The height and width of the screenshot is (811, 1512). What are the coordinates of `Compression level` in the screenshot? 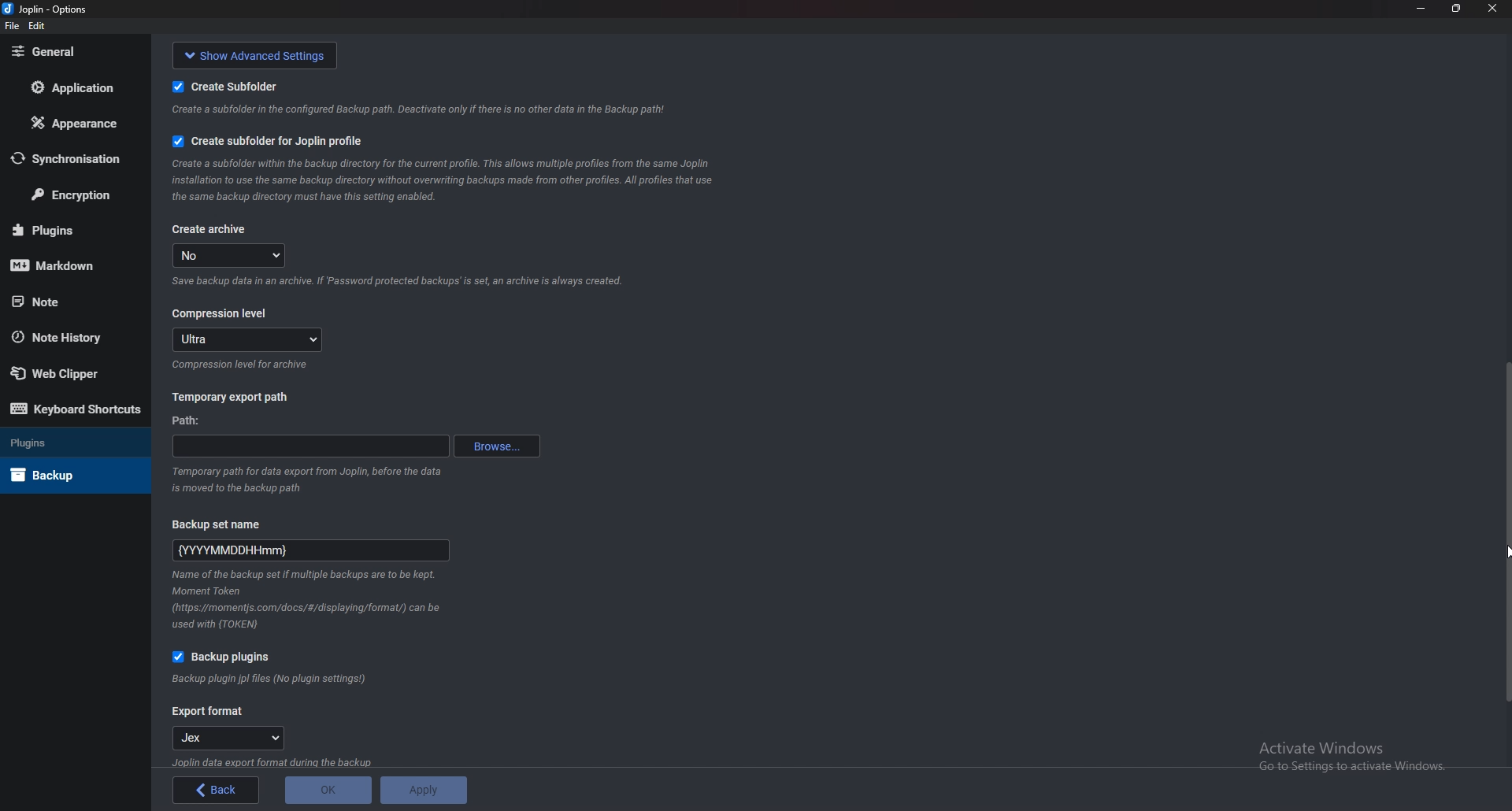 It's located at (228, 315).